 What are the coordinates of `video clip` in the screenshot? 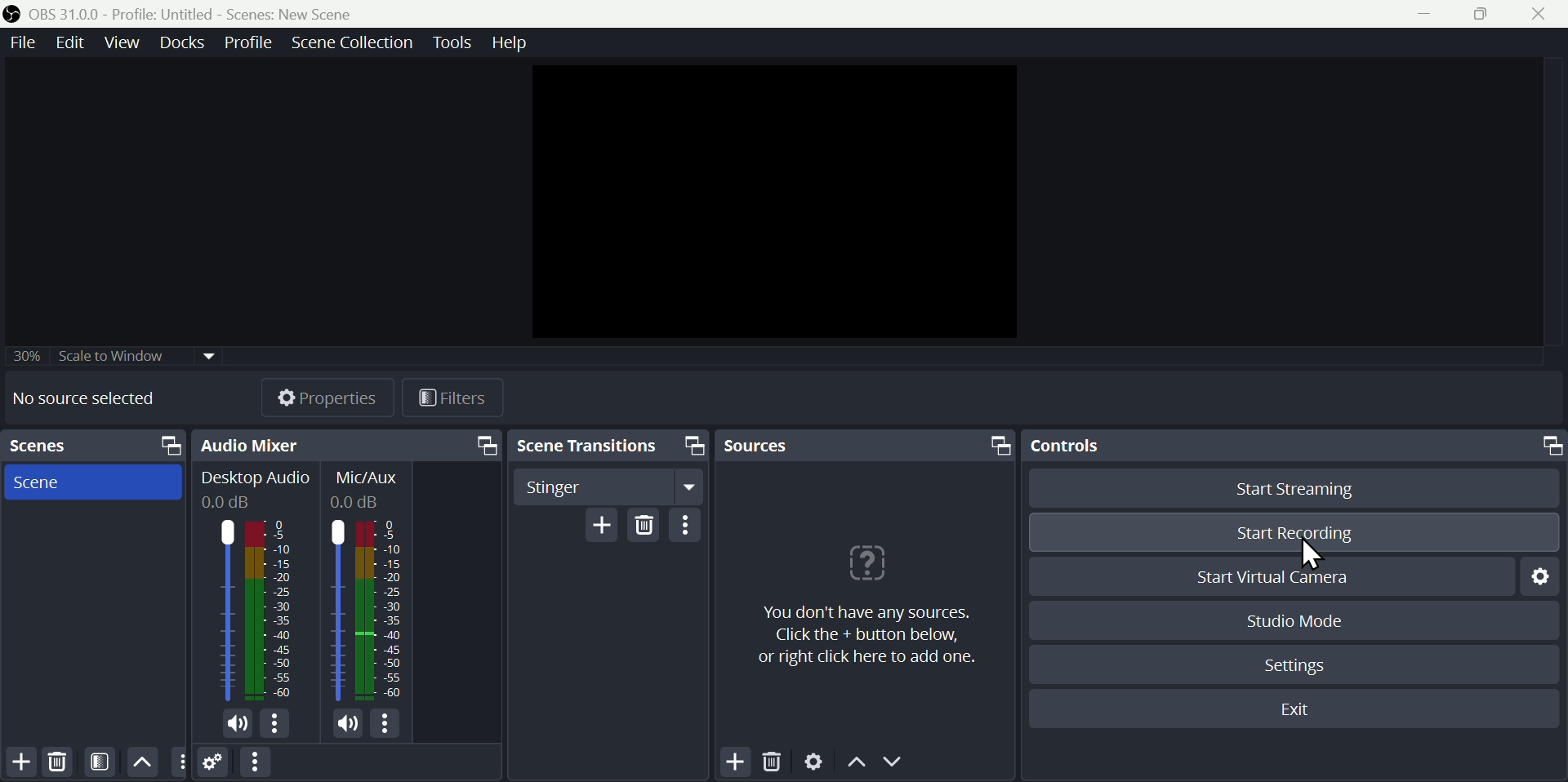 It's located at (775, 198).